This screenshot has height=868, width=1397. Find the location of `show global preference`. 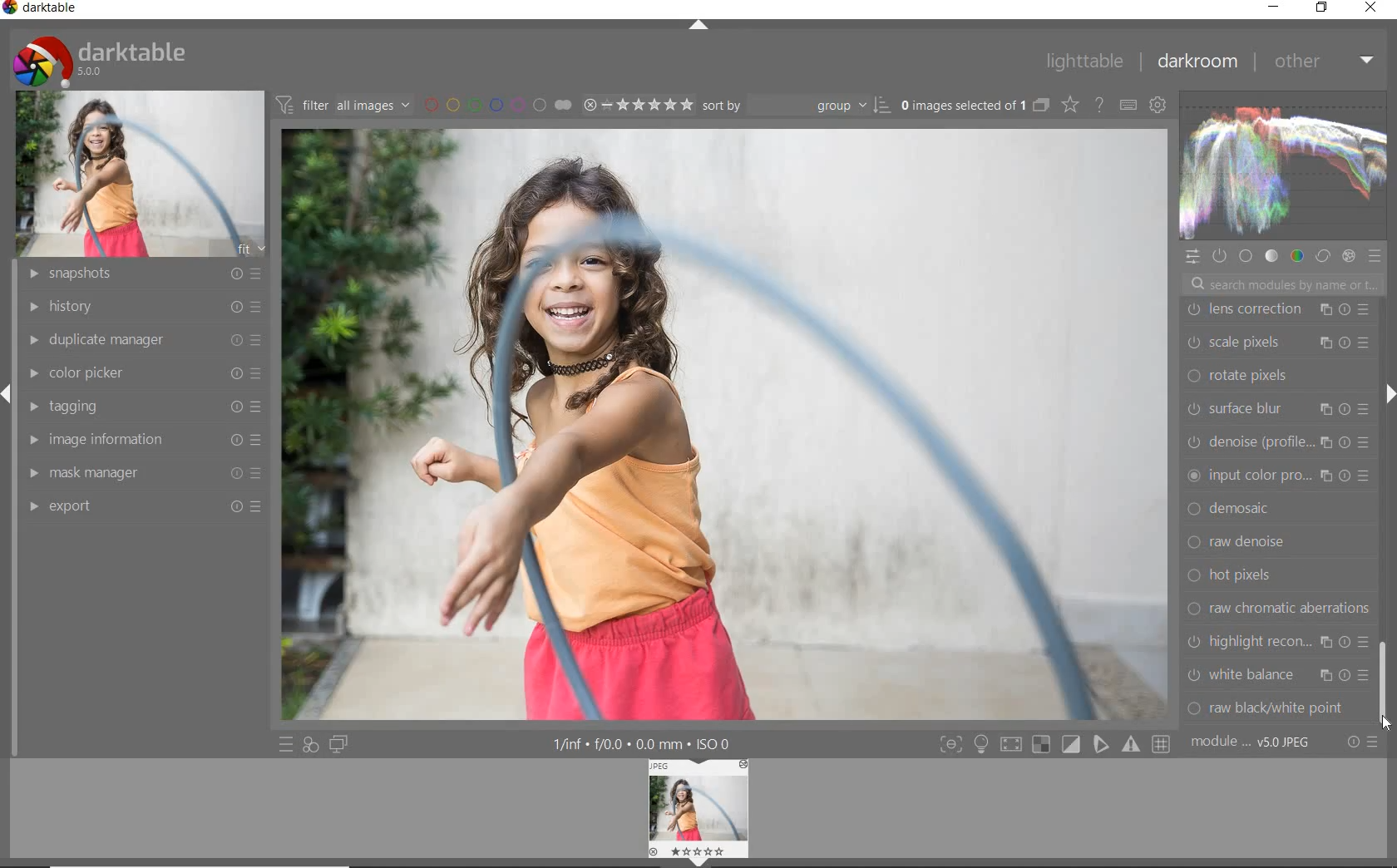

show global preference is located at coordinates (1158, 106).